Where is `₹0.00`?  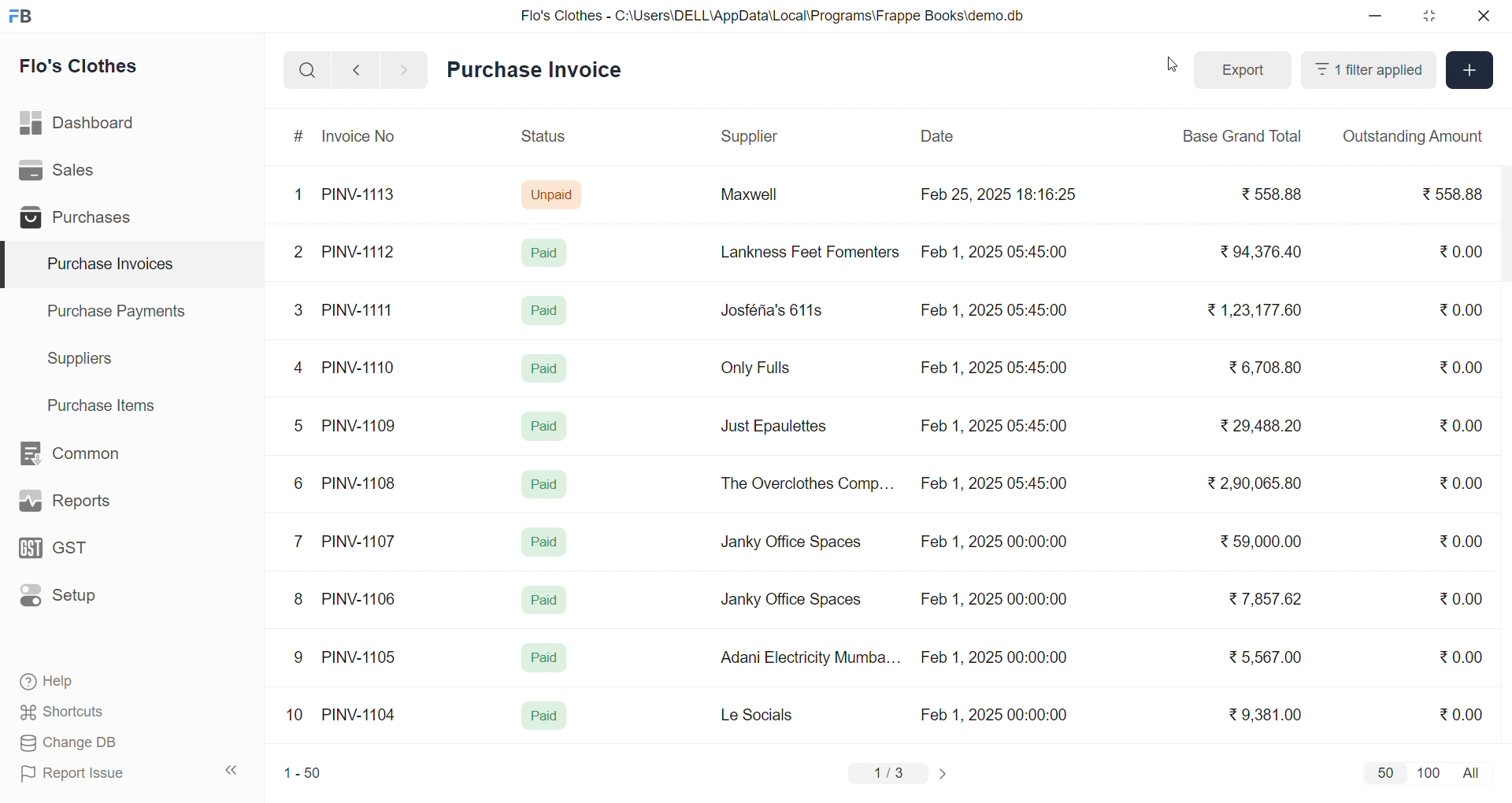 ₹0.00 is located at coordinates (1462, 656).